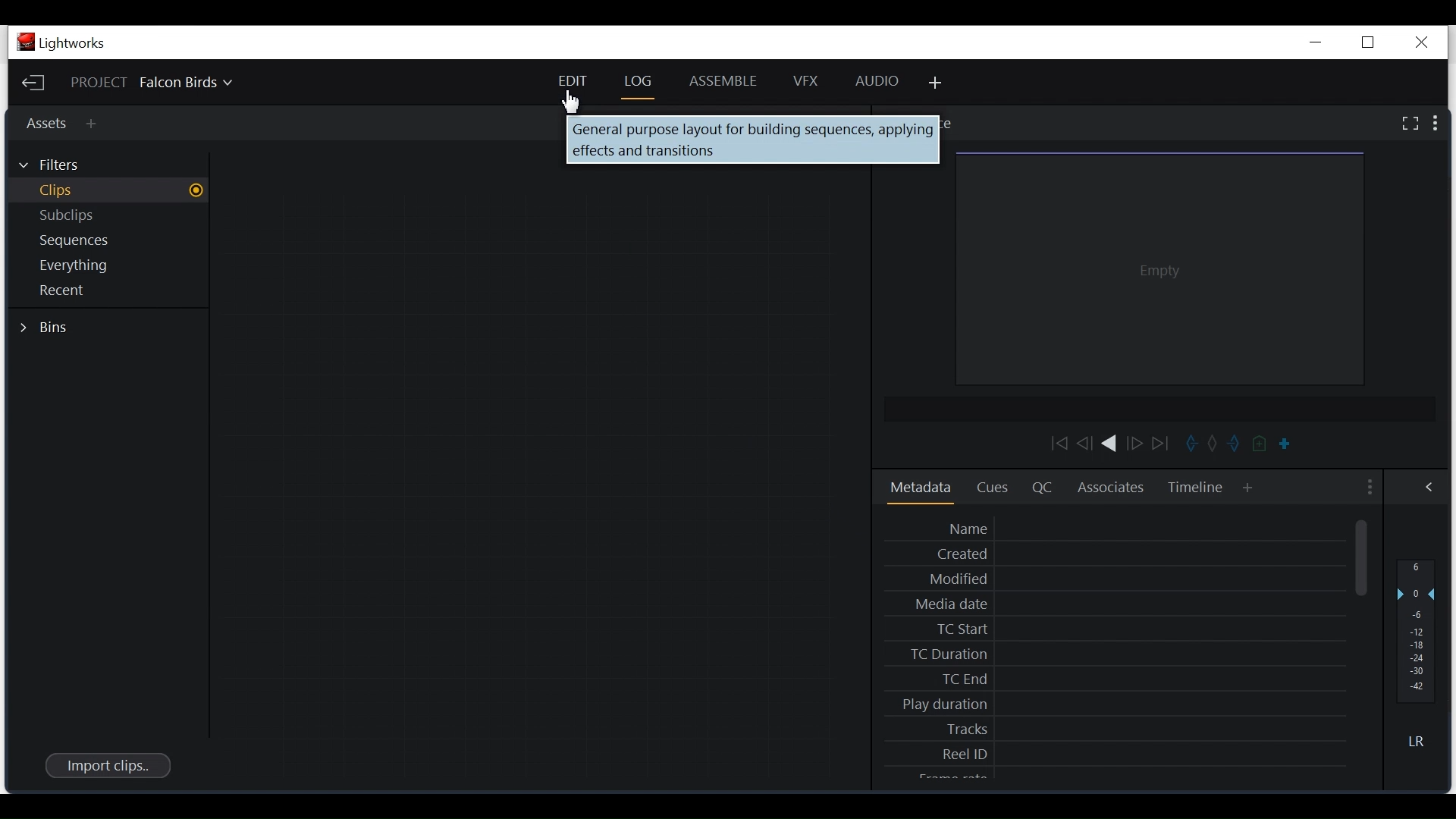  Describe the element at coordinates (105, 241) in the screenshot. I see `Show Sequences within the project` at that location.